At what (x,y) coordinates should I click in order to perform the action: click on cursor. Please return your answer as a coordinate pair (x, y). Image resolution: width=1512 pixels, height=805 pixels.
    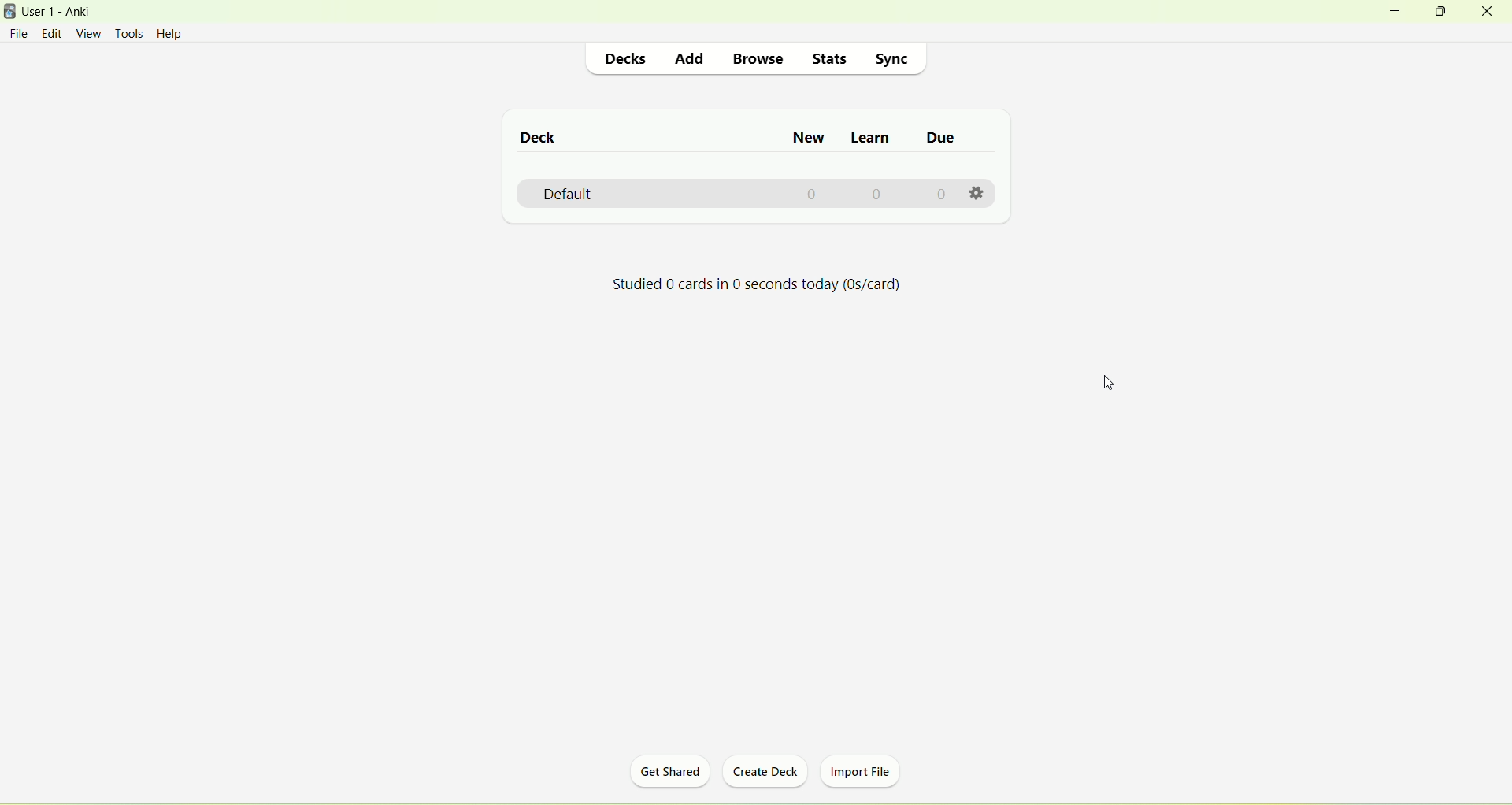
    Looking at the image, I should click on (1111, 384).